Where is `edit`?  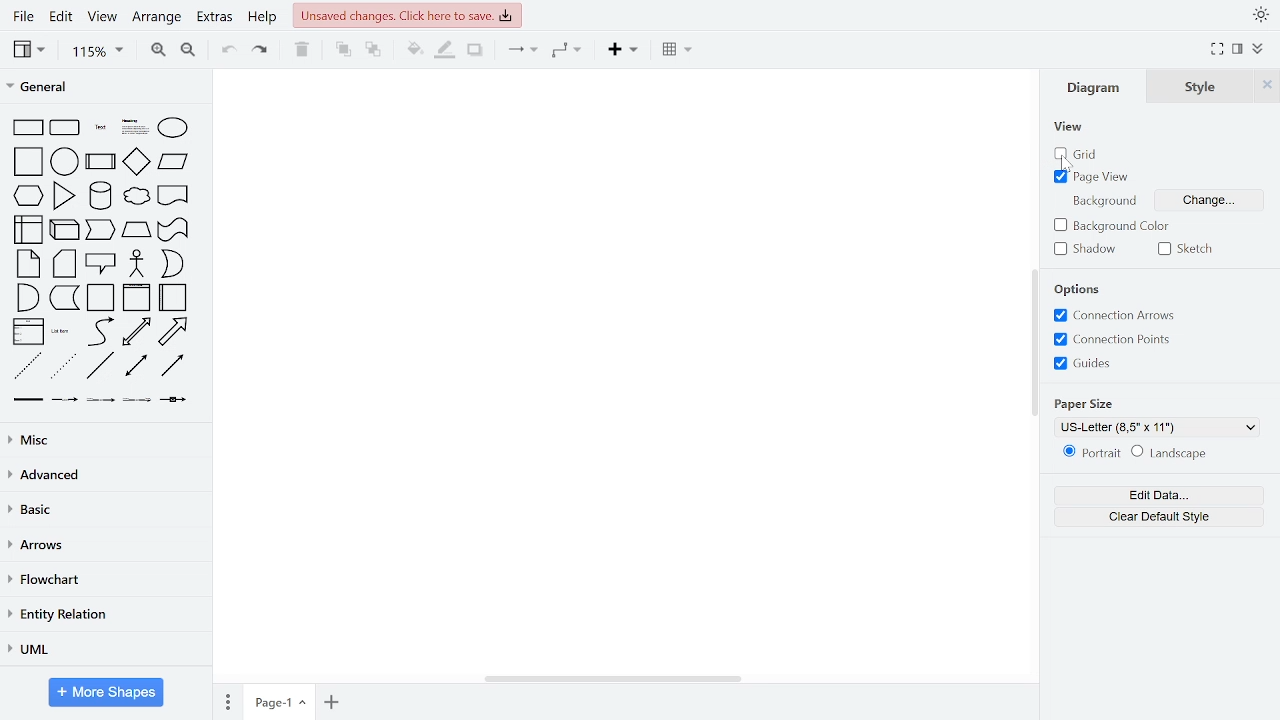 edit is located at coordinates (62, 17).